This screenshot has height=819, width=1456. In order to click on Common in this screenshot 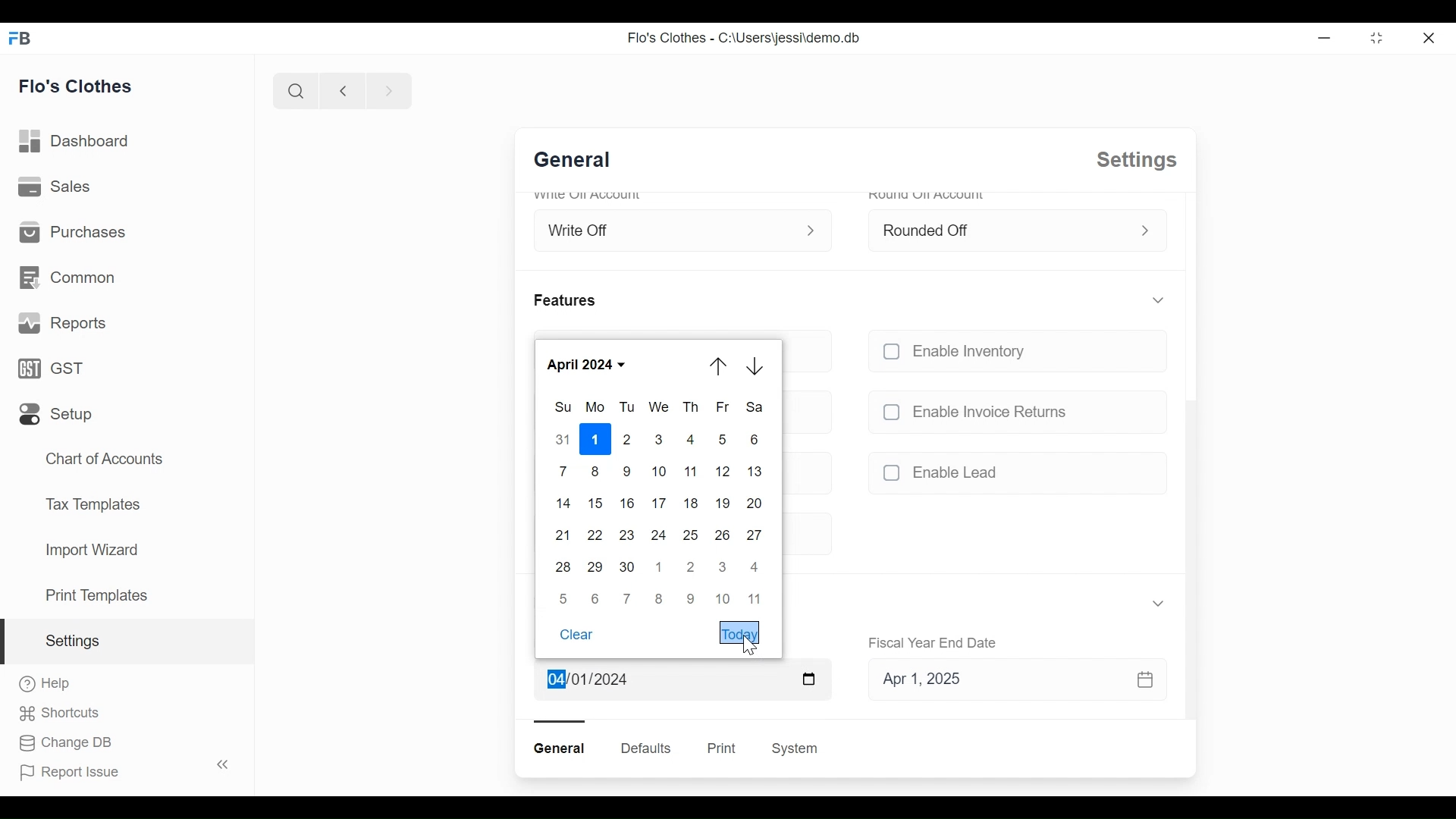, I will do `click(70, 280)`.